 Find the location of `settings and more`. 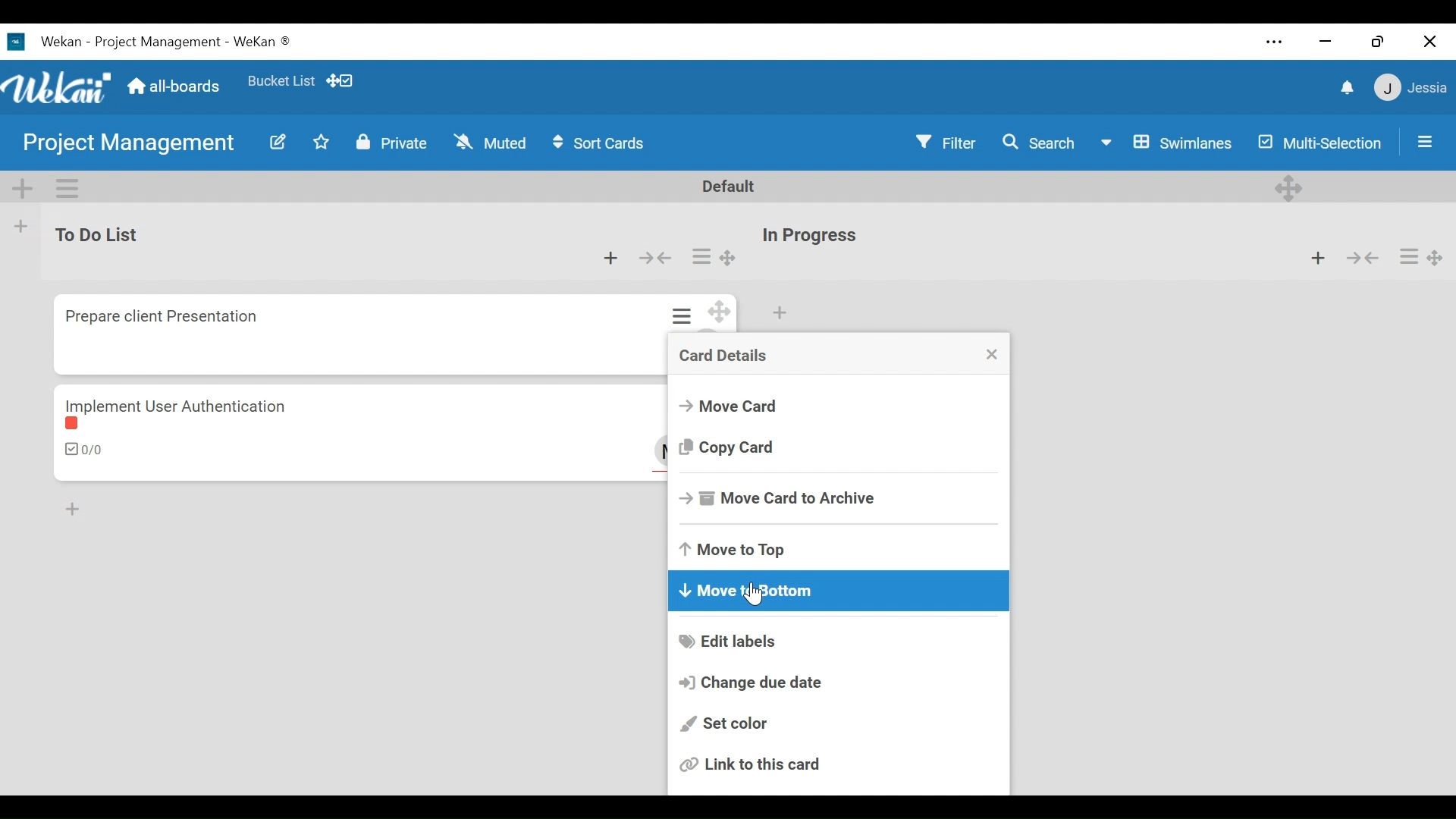

settings and more is located at coordinates (1273, 42).